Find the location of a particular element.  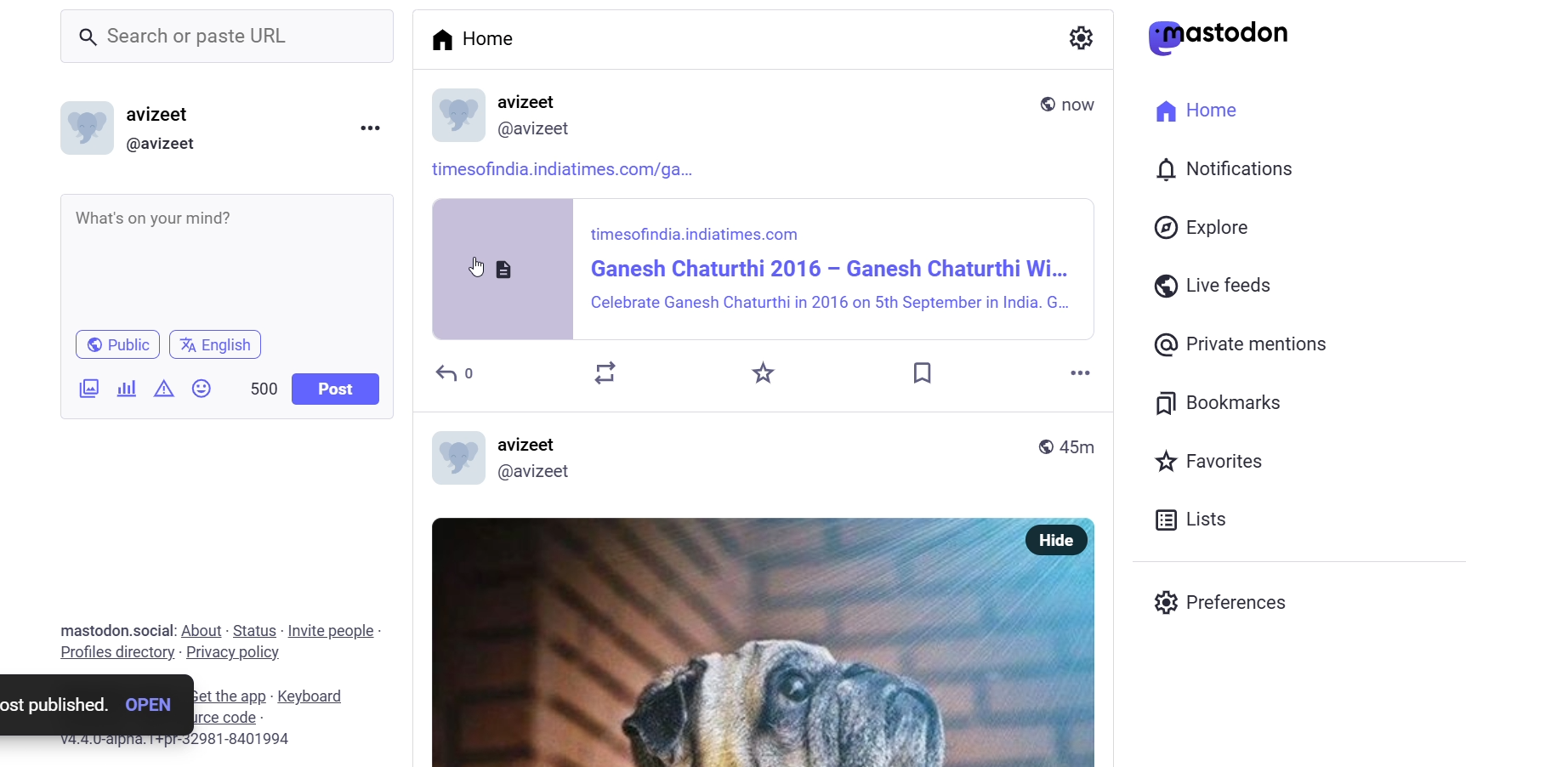

reply is located at coordinates (452, 375).